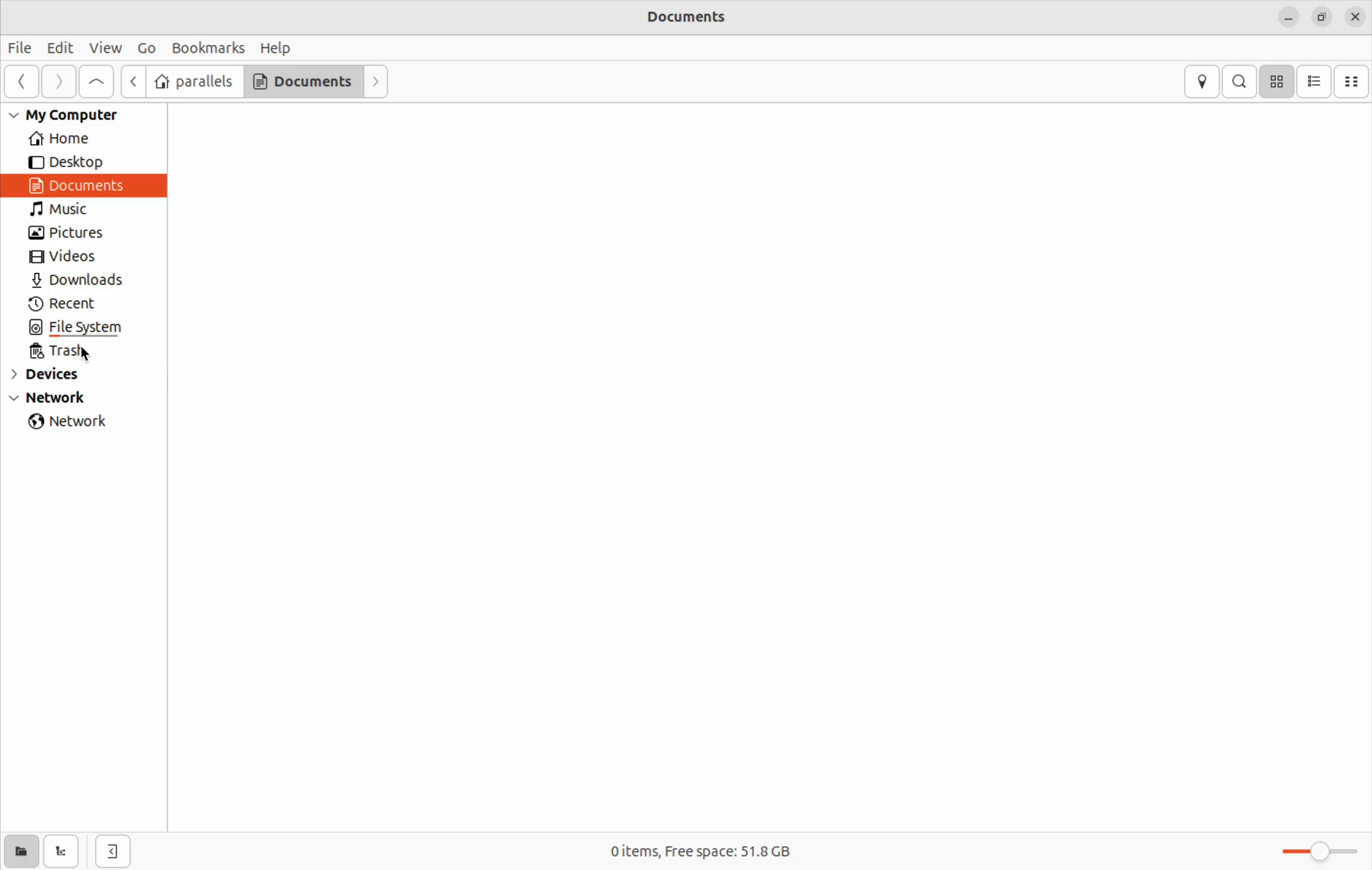 The width and height of the screenshot is (1372, 870). What do you see at coordinates (112, 852) in the screenshot?
I see `hide side bar` at bounding box center [112, 852].